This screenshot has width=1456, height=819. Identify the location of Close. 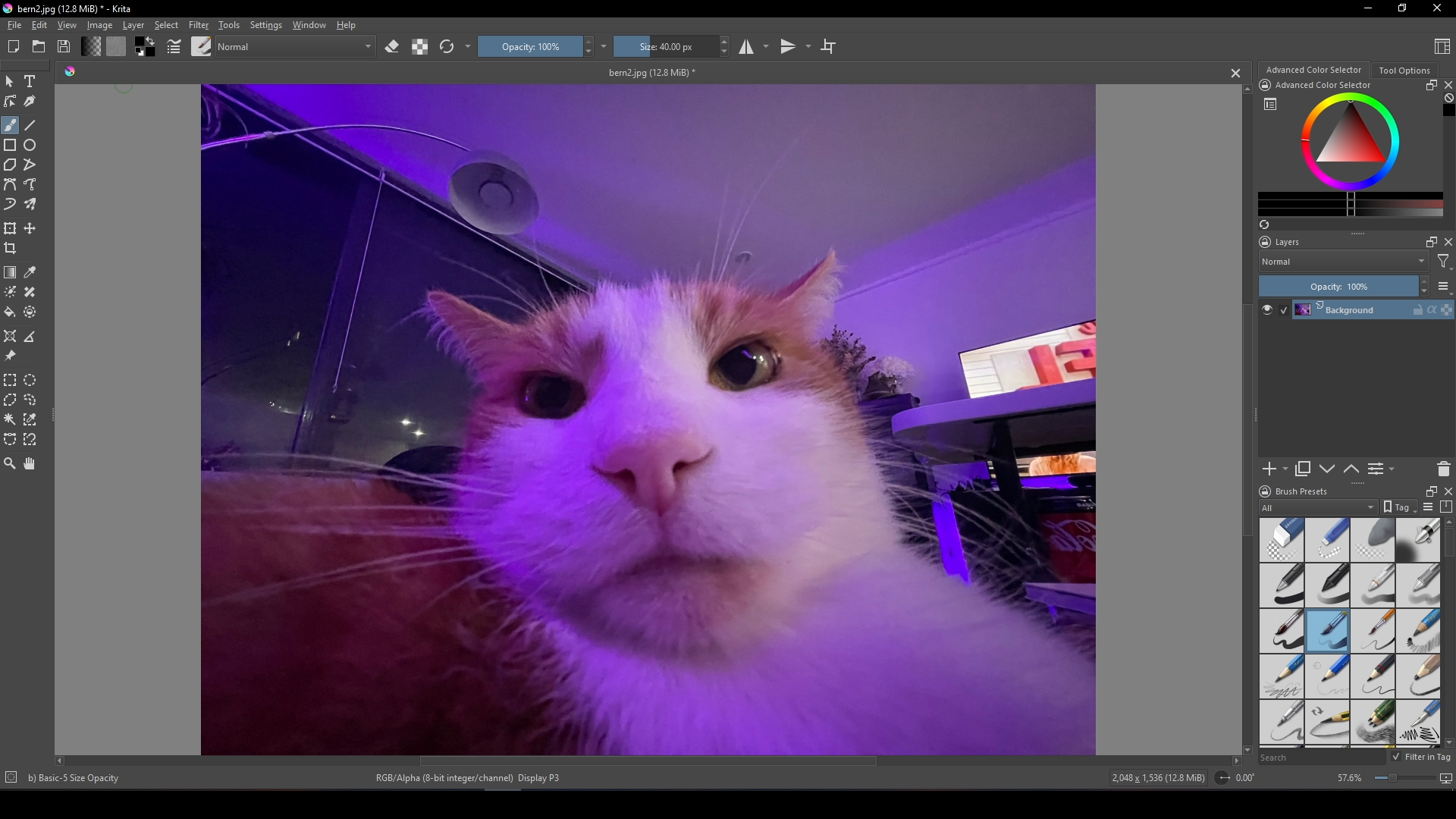
(1438, 8).